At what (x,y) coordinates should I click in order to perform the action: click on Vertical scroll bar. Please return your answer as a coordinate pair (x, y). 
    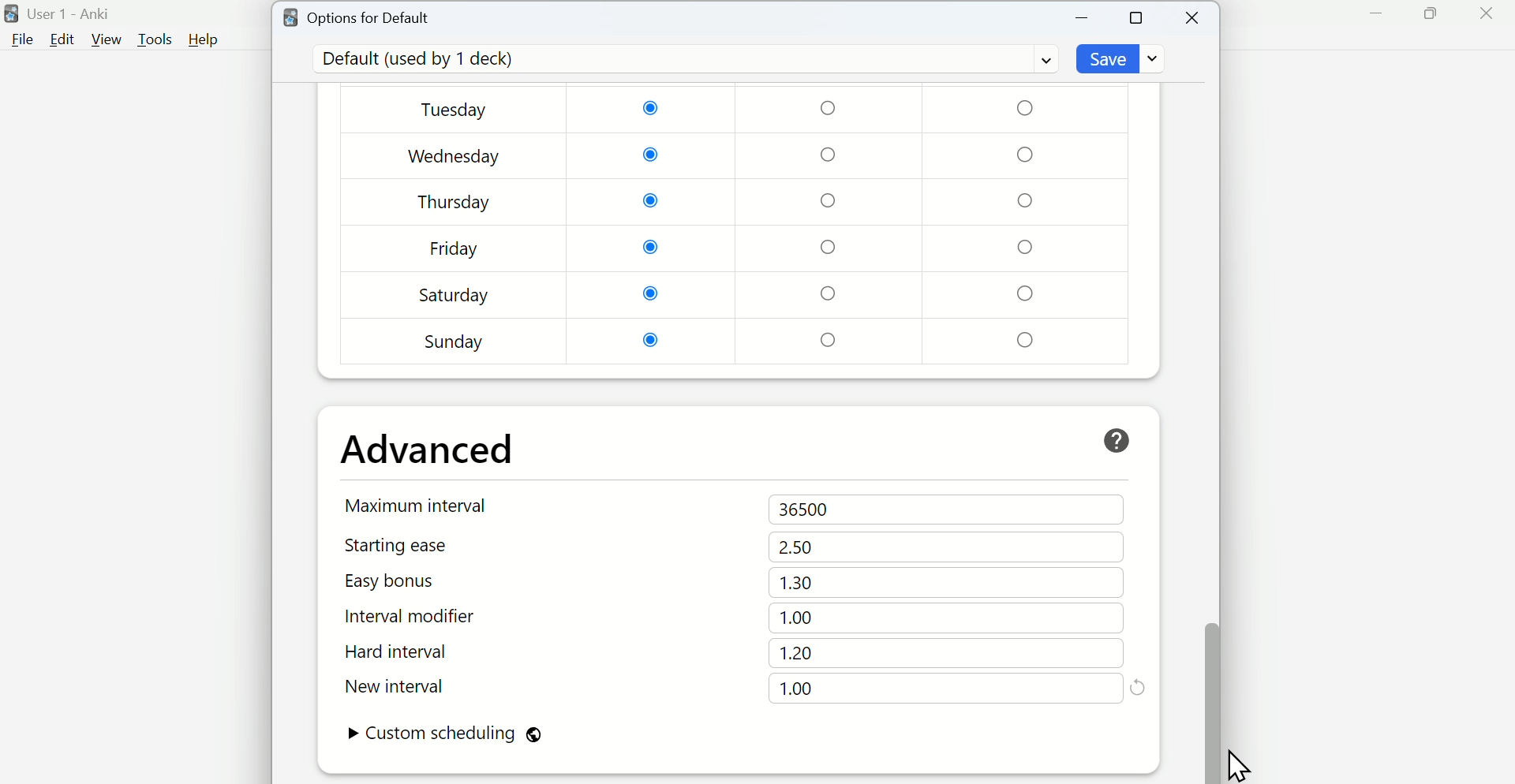
    Looking at the image, I should click on (1210, 407).